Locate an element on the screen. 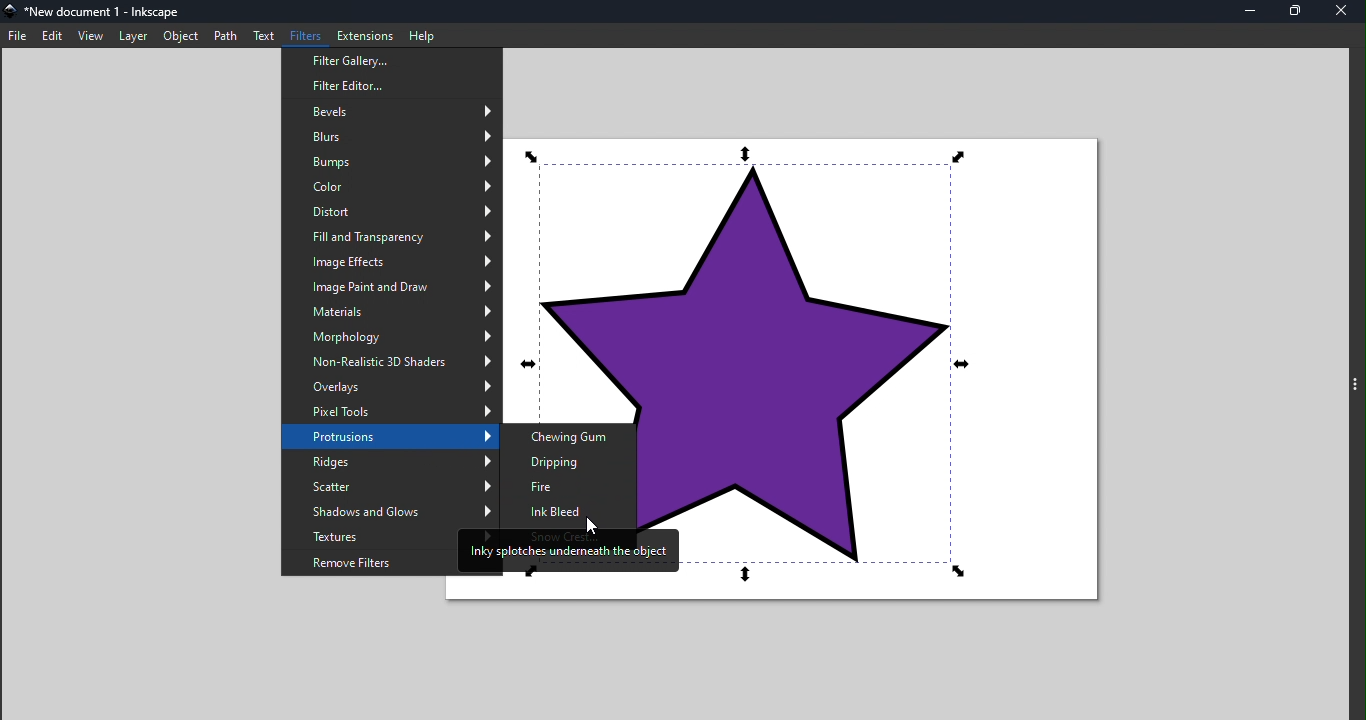 This screenshot has height=720, width=1366. Toggle command panel is located at coordinates (1353, 384).